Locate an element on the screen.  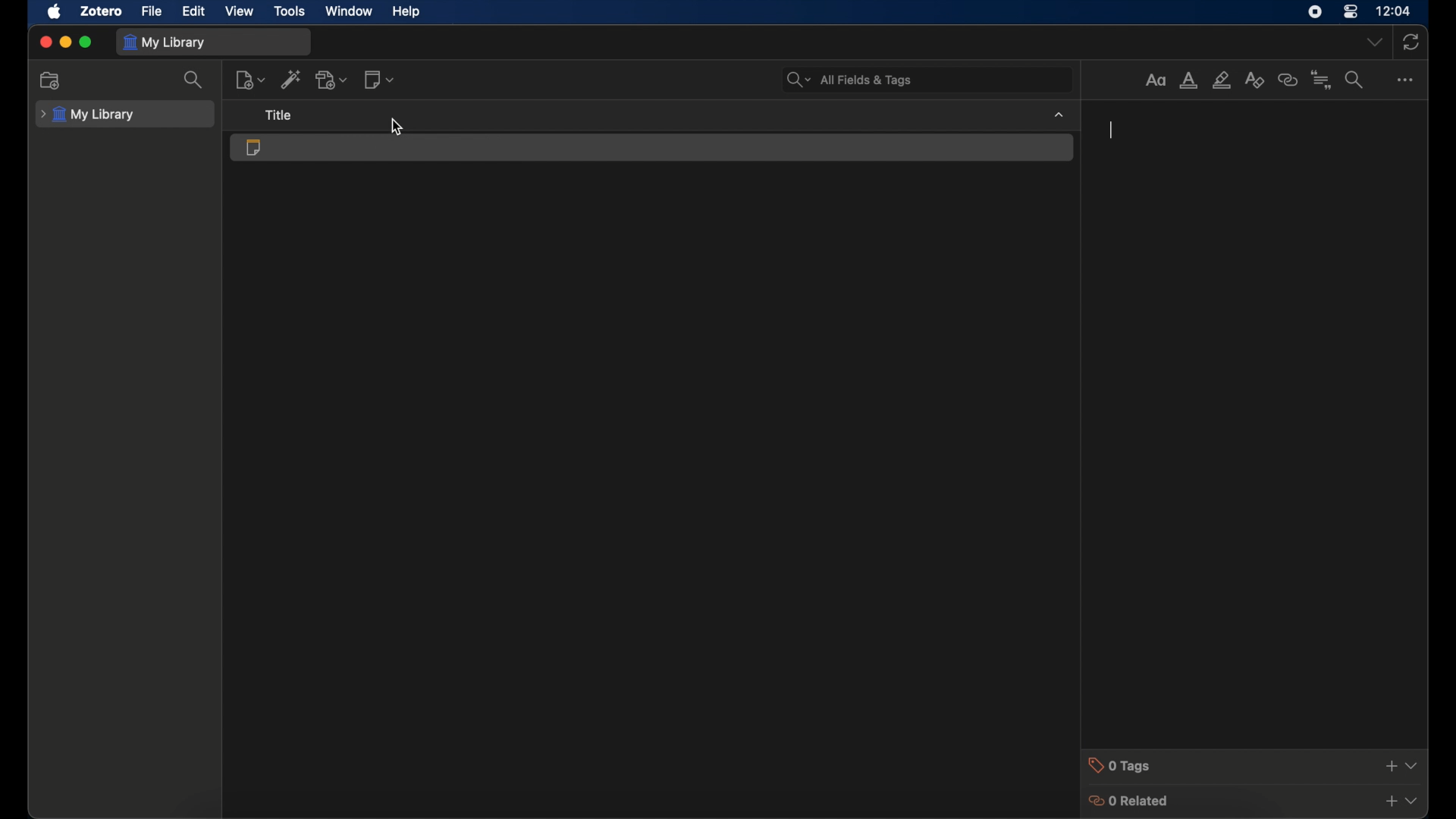
add collections is located at coordinates (50, 81).